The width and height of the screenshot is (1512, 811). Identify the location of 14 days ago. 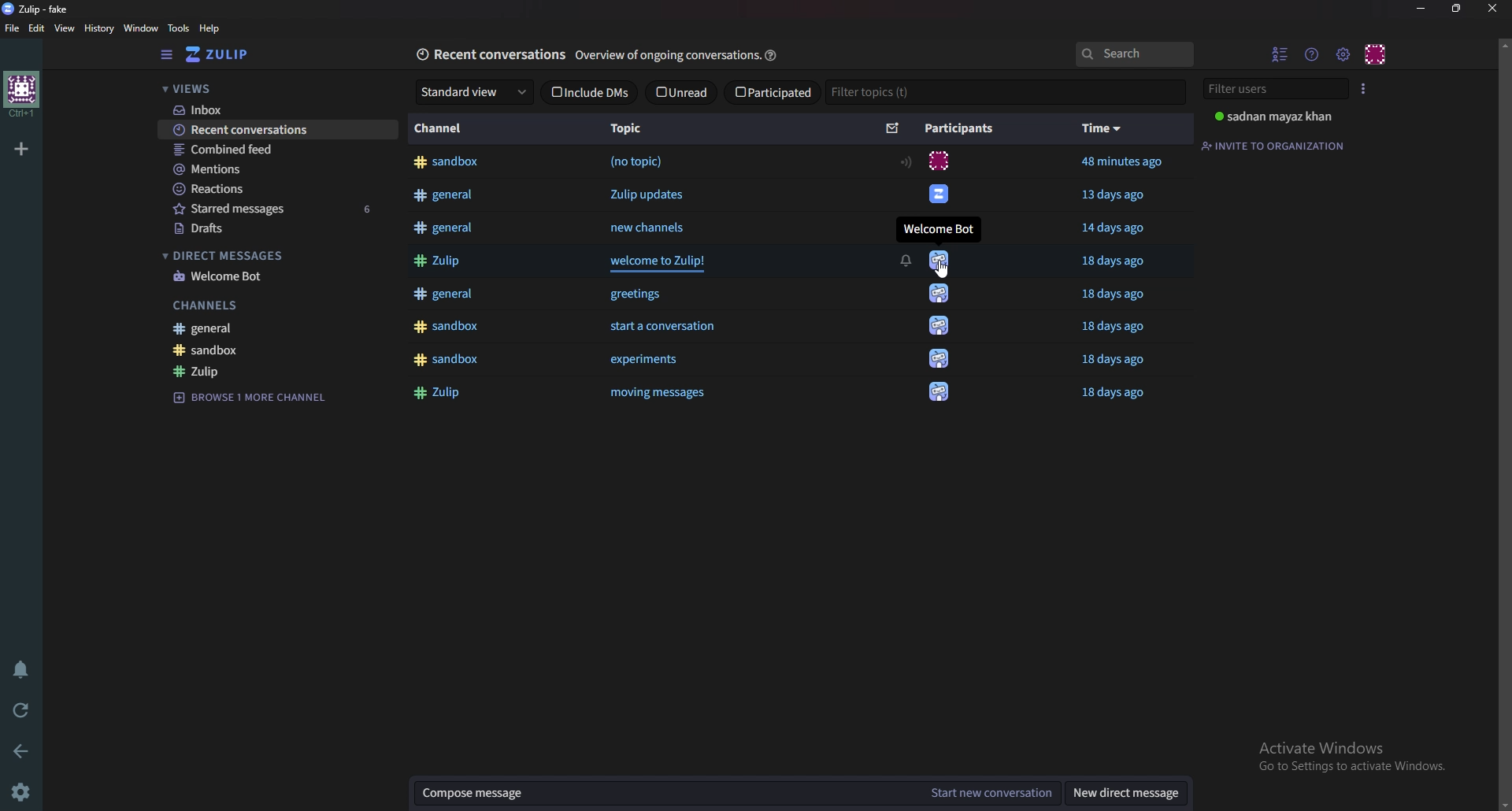
(1115, 228).